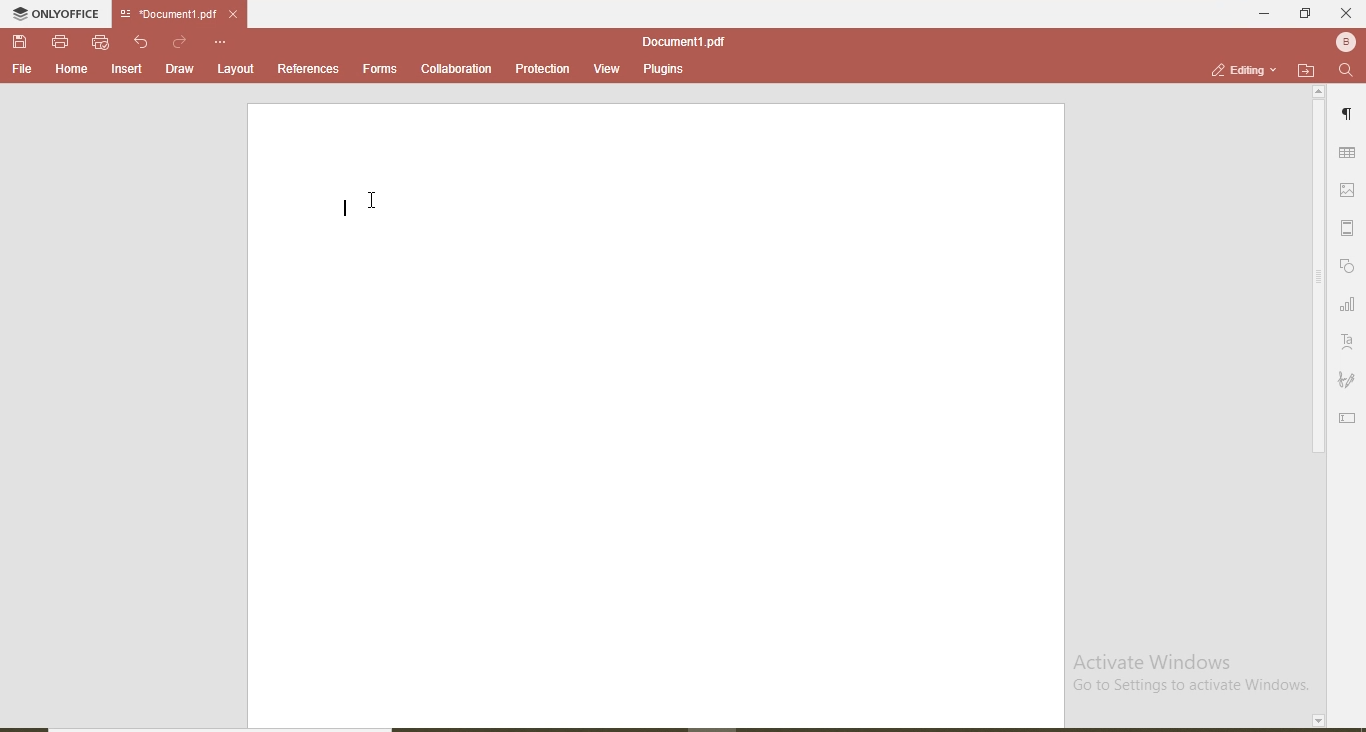 The image size is (1366, 732). What do you see at coordinates (237, 68) in the screenshot?
I see `layout` at bounding box center [237, 68].